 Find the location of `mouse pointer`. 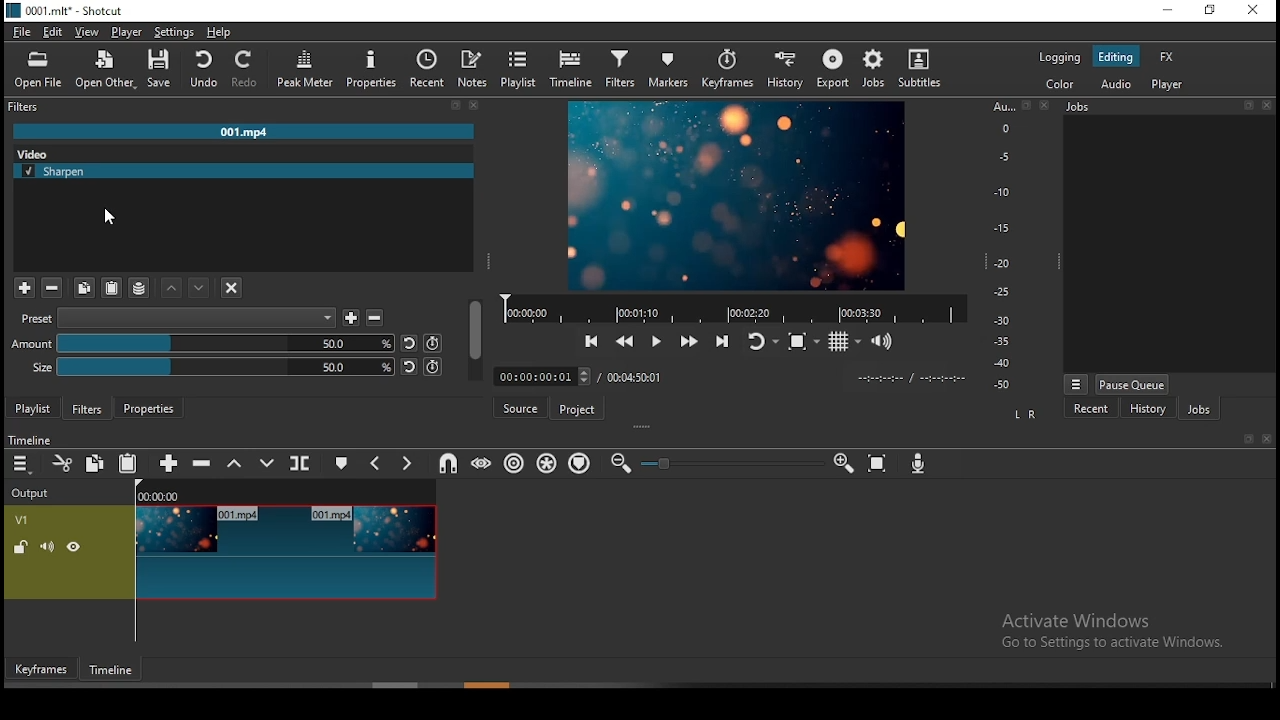

mouse pointer is located at coordinates (111, 216).